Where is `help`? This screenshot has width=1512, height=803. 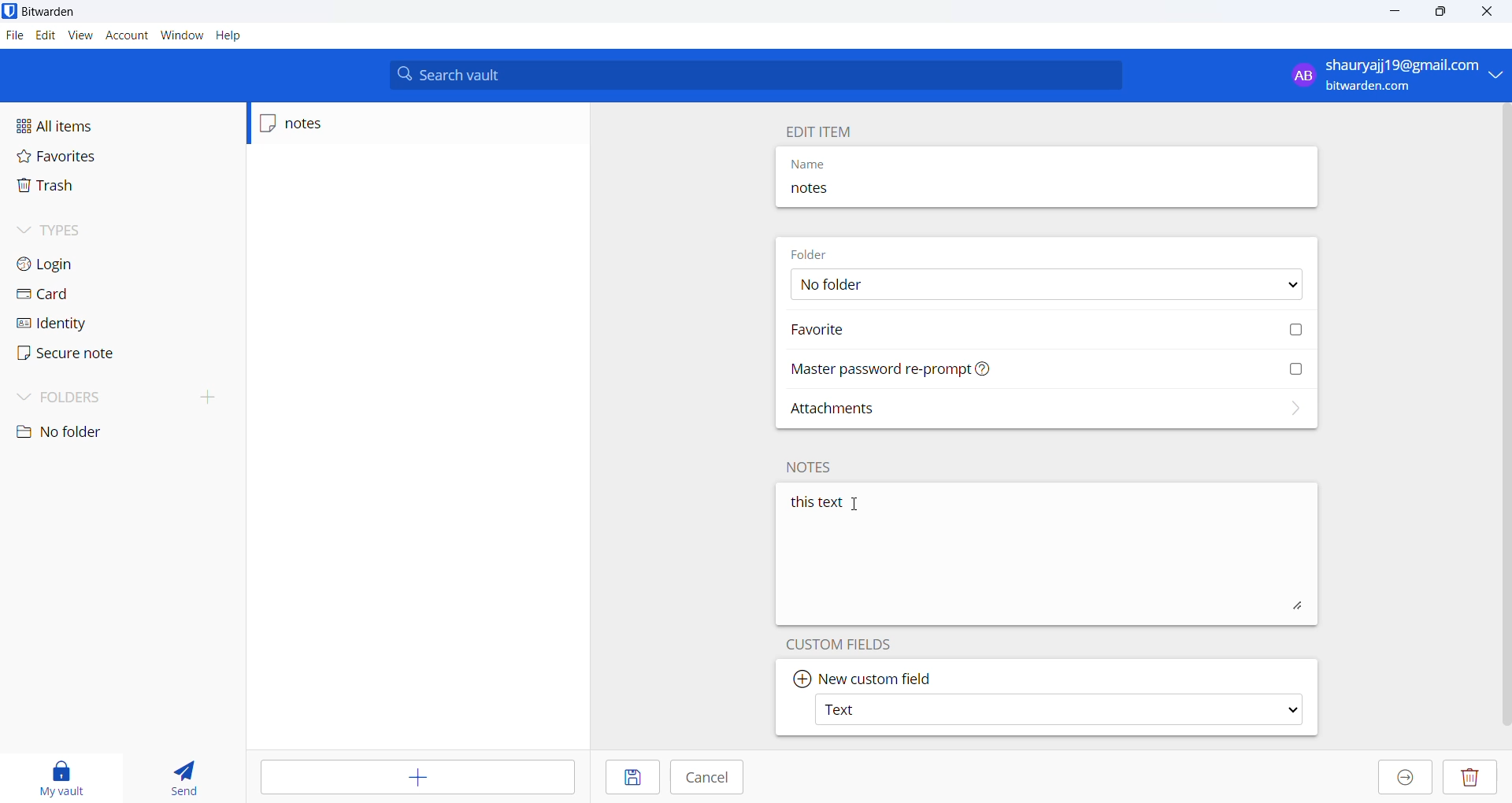
help is located at coordinates (229, 37).